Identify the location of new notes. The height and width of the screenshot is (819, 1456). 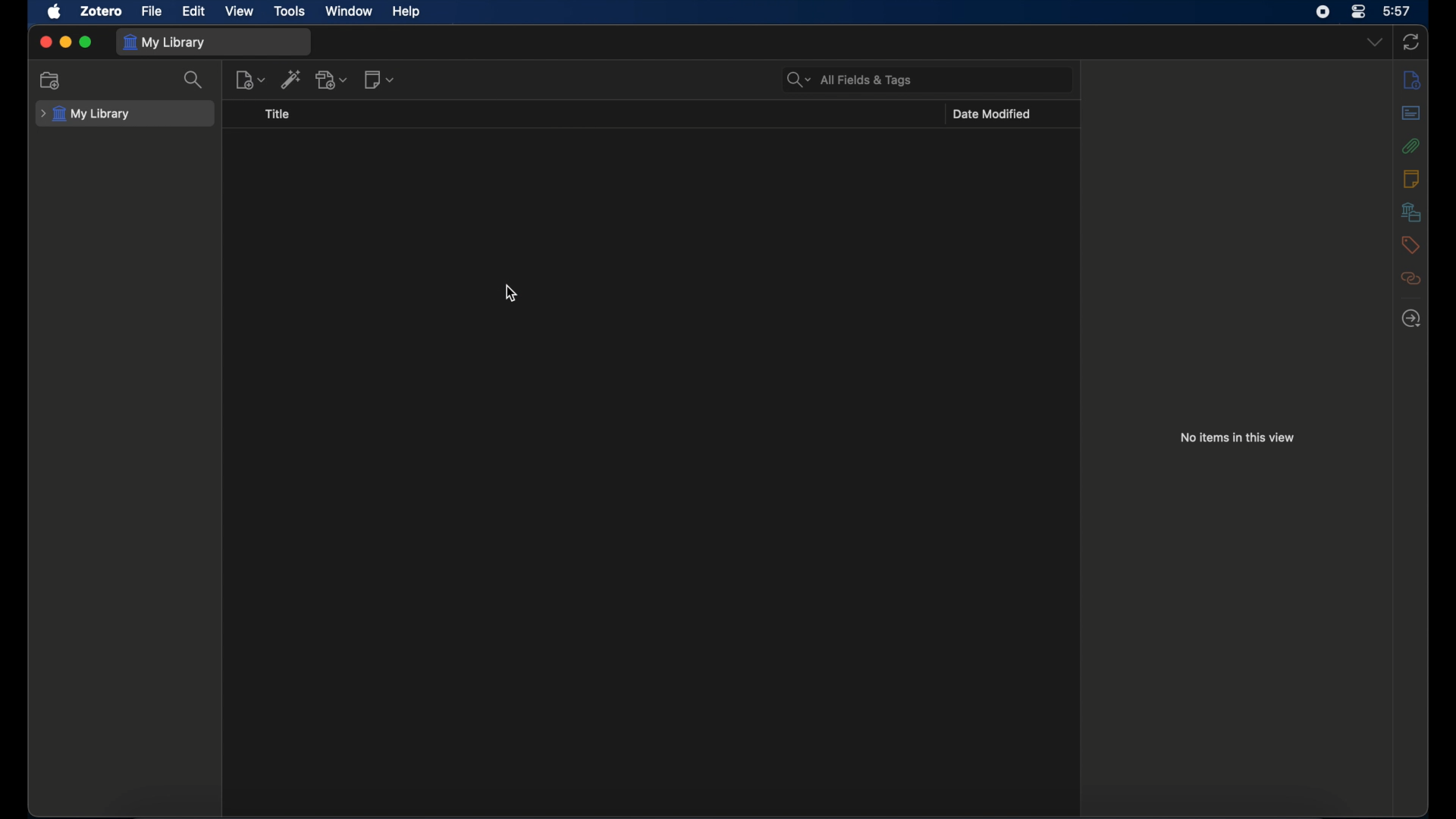
(381, 79).